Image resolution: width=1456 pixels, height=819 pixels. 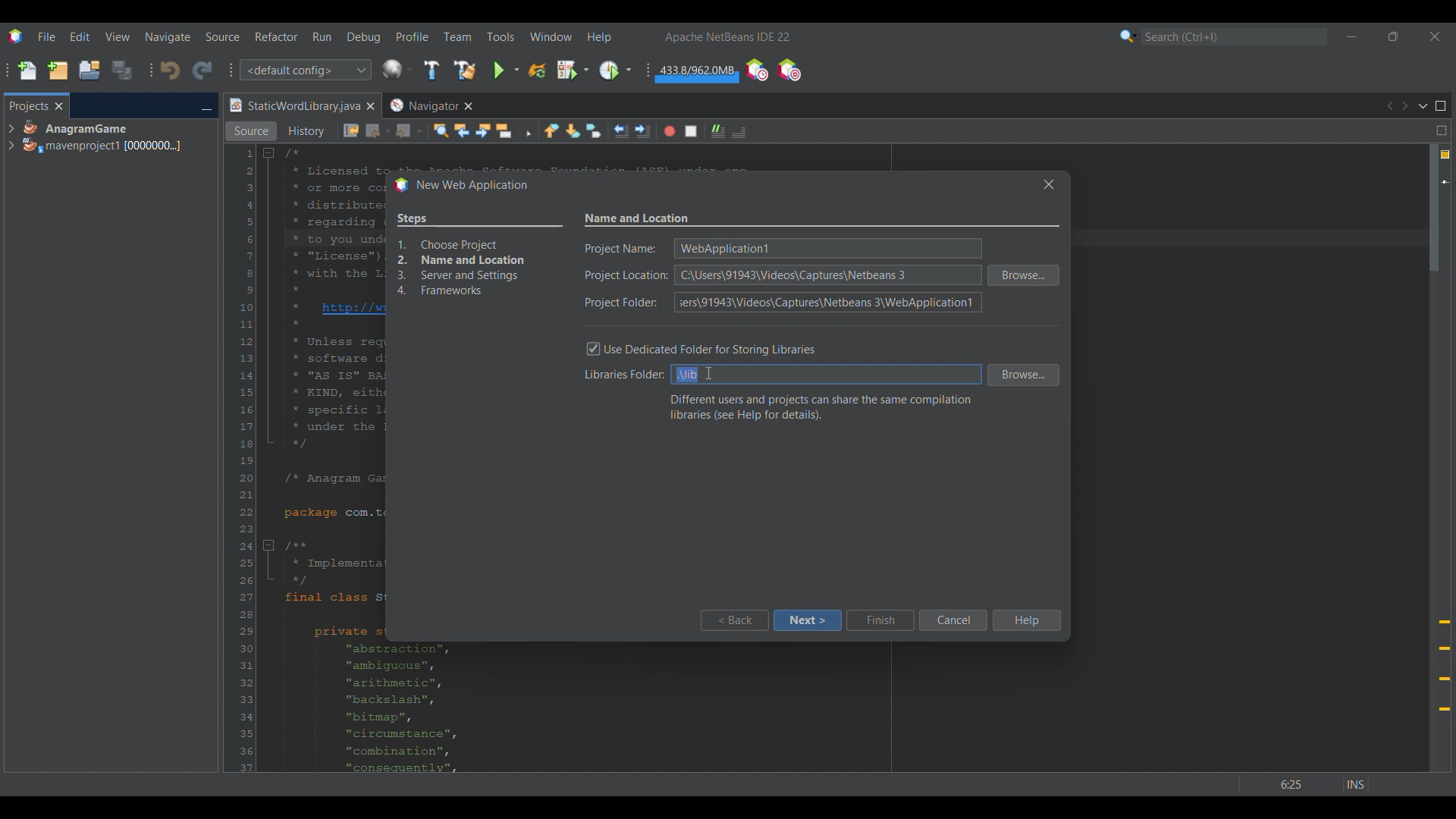 I want to click on Build main project, so click(x=431, y=70).